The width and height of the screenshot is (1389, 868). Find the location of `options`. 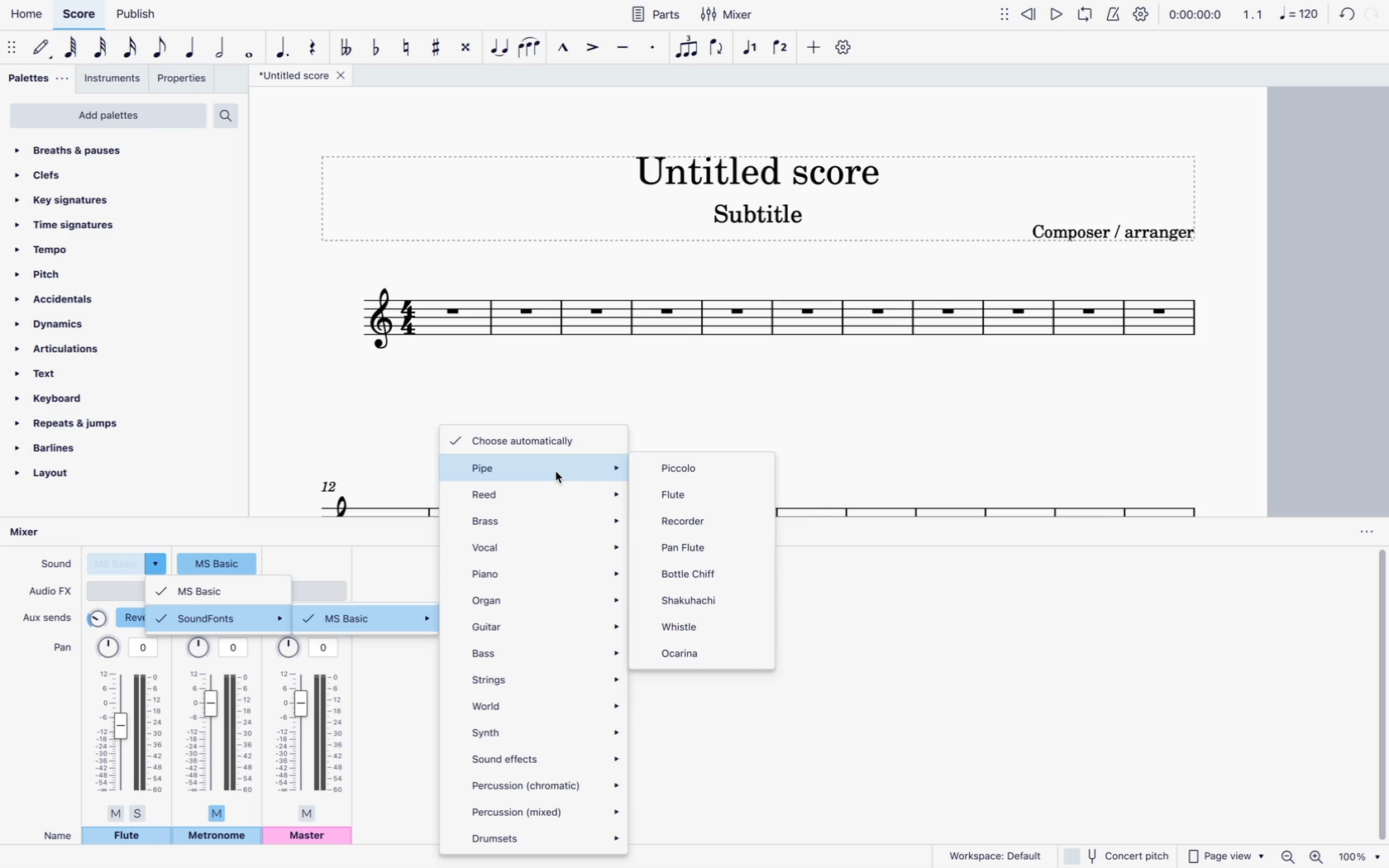

options is located at coordinates (1365, 532).